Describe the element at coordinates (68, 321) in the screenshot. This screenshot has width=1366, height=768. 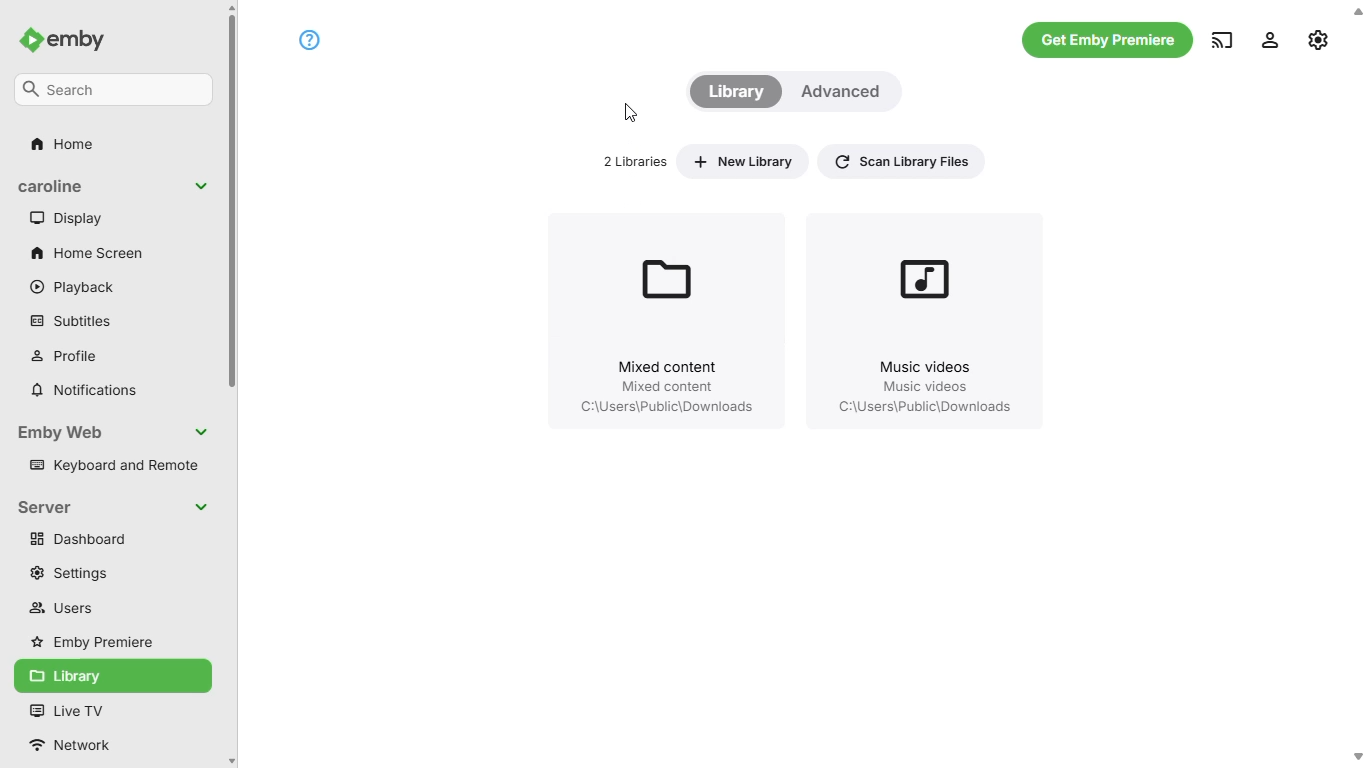
I see `subtitles` at that location.